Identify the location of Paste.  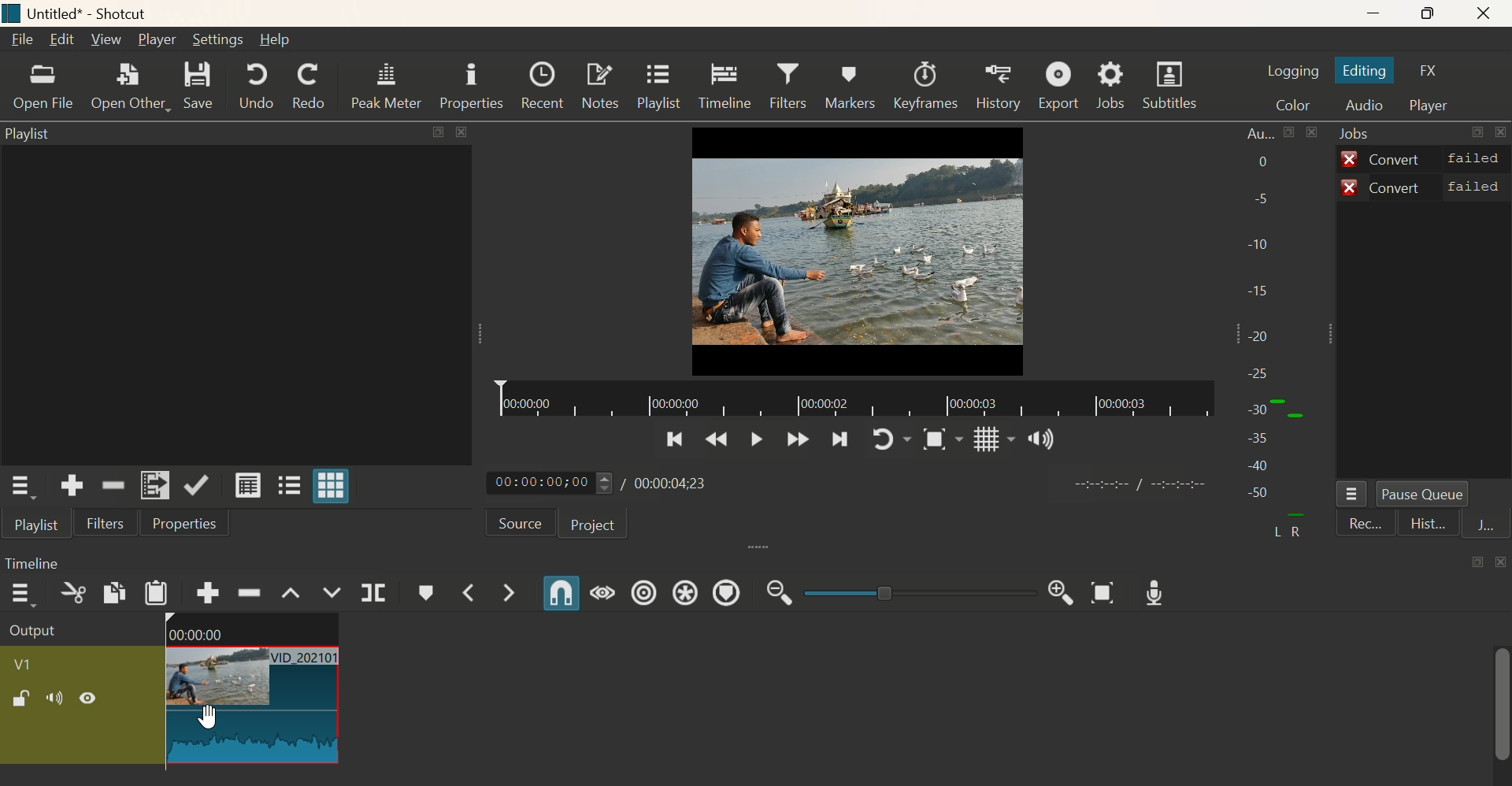
(159, 595).